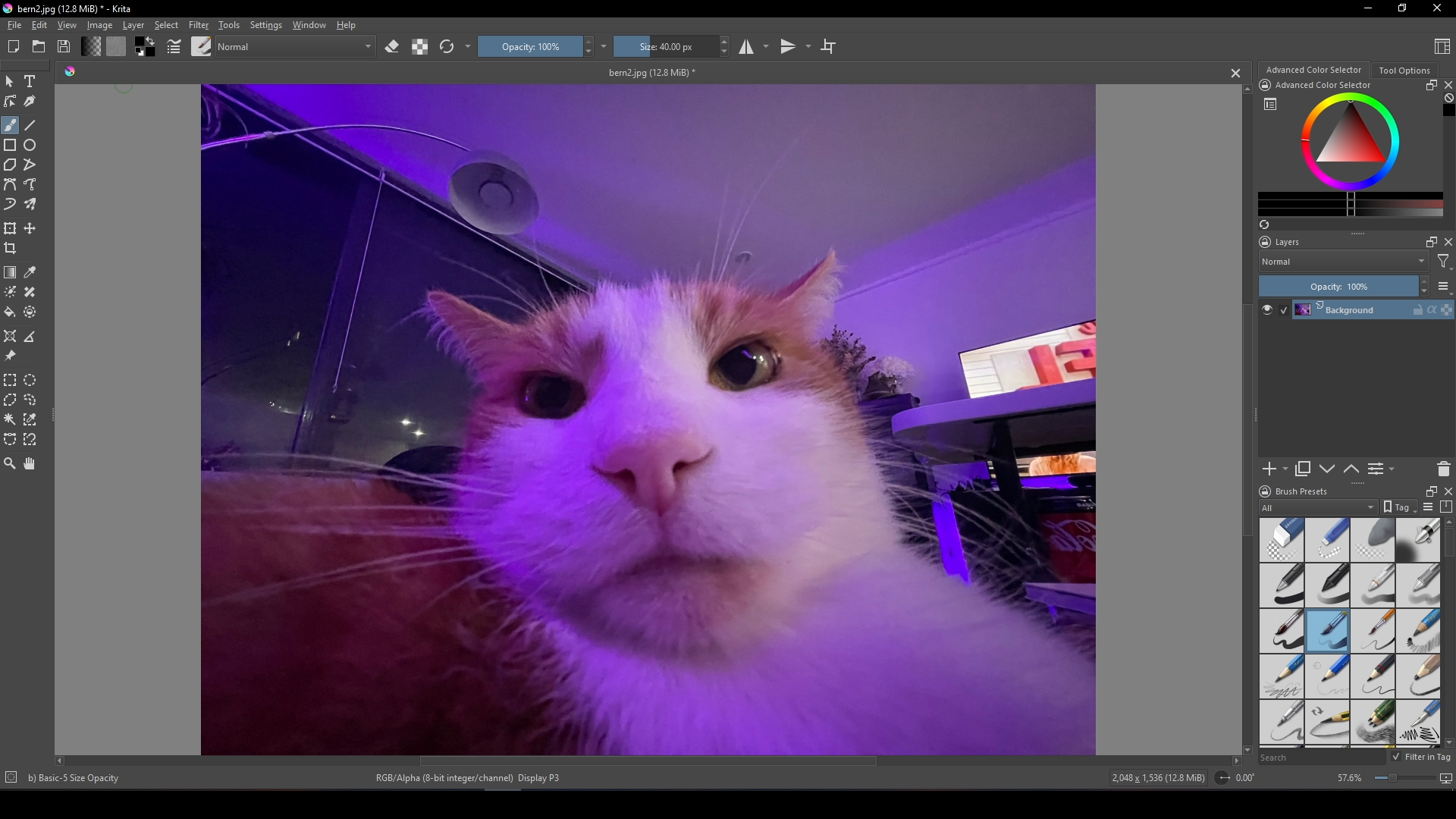 The height and width of the screenshot is (819, 1456). Describe the element at coordinates (1448, 98) in the screenshot. I see `Clear all color history` at that location.